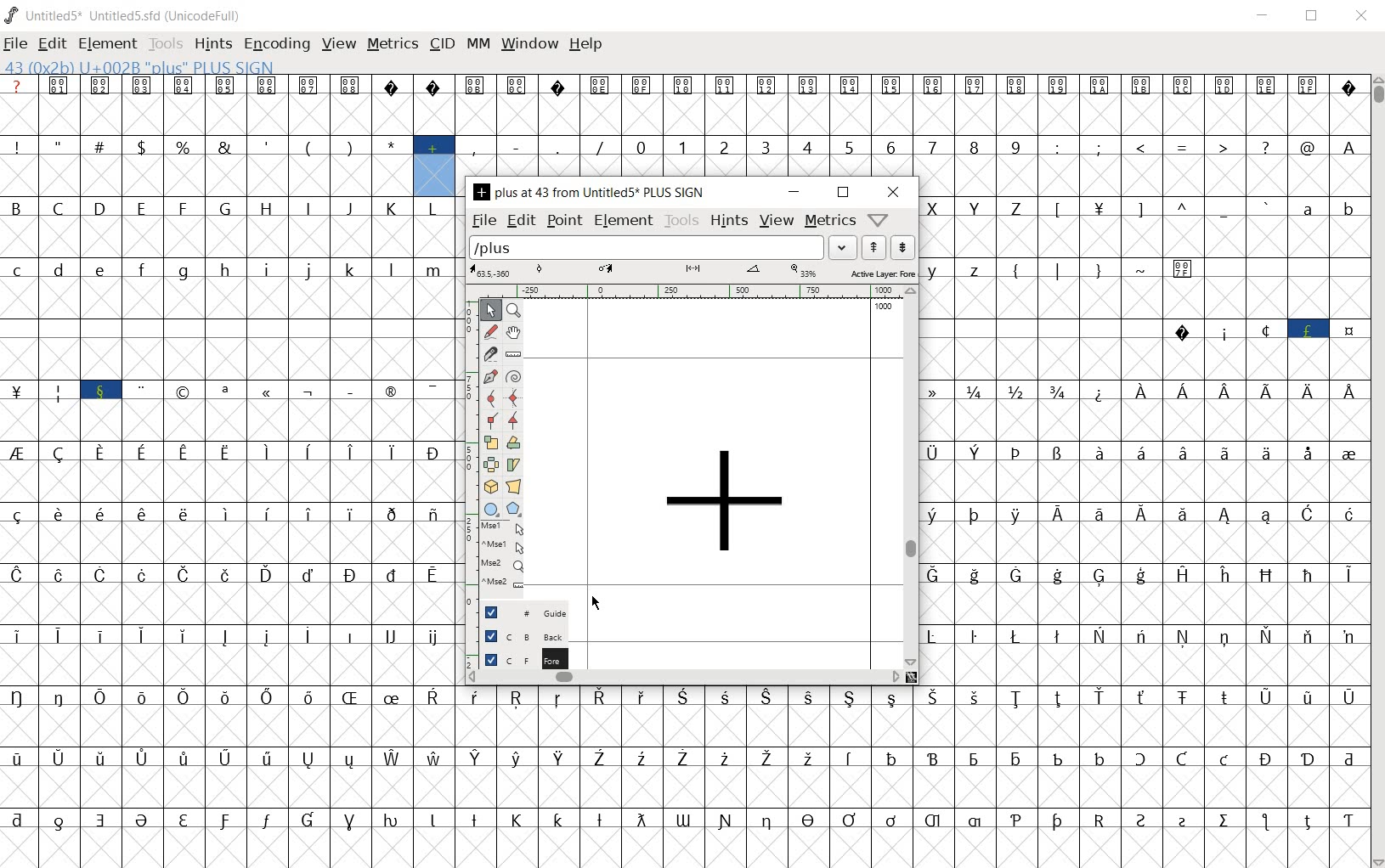 The width and height of the screenshot is (1385, 868). I want to click on active layer, so click(691, 272).